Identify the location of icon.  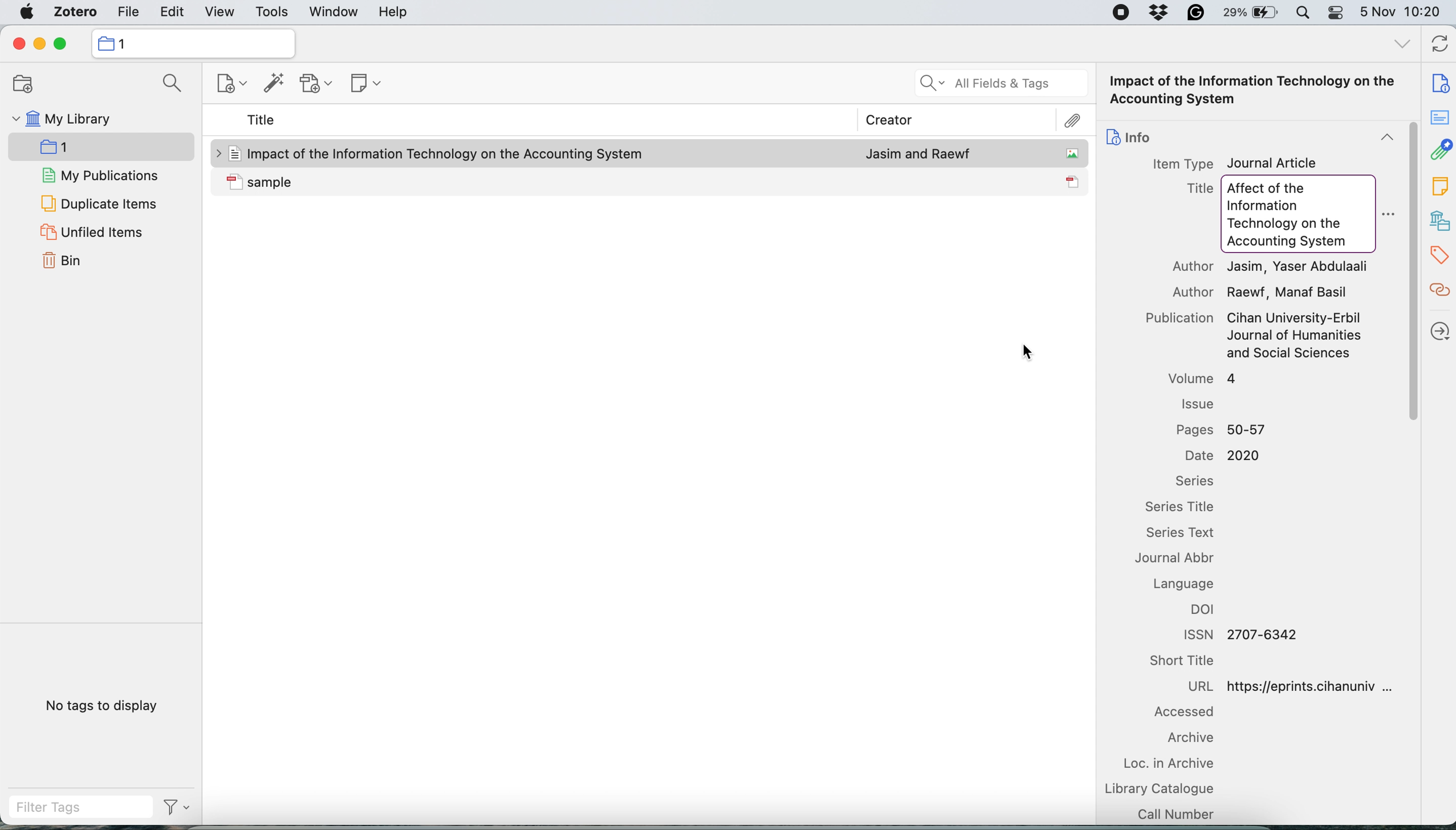
(1073, 153).